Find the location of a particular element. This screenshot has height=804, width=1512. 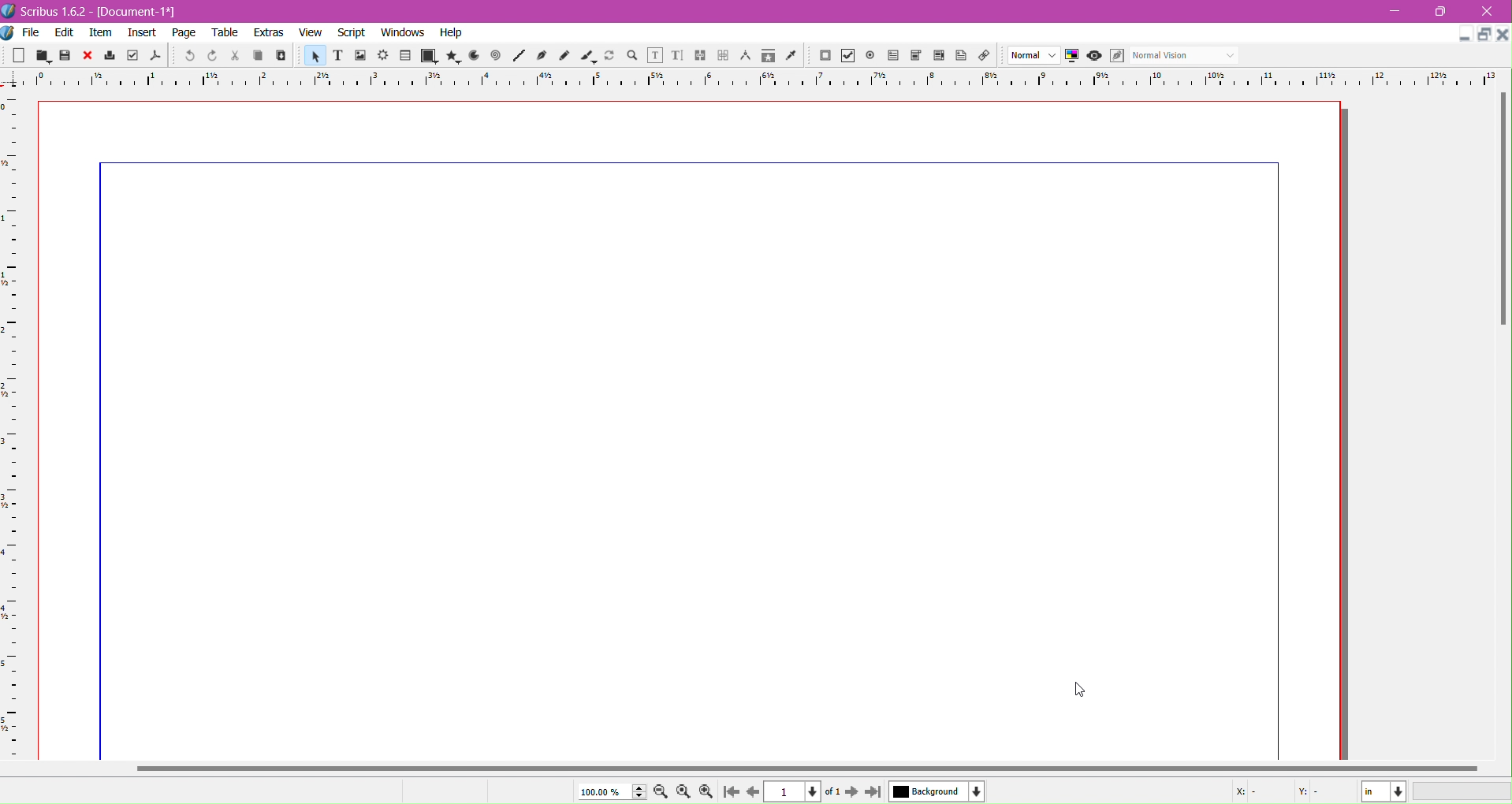

windows menu is located at coordinates (402, 33).